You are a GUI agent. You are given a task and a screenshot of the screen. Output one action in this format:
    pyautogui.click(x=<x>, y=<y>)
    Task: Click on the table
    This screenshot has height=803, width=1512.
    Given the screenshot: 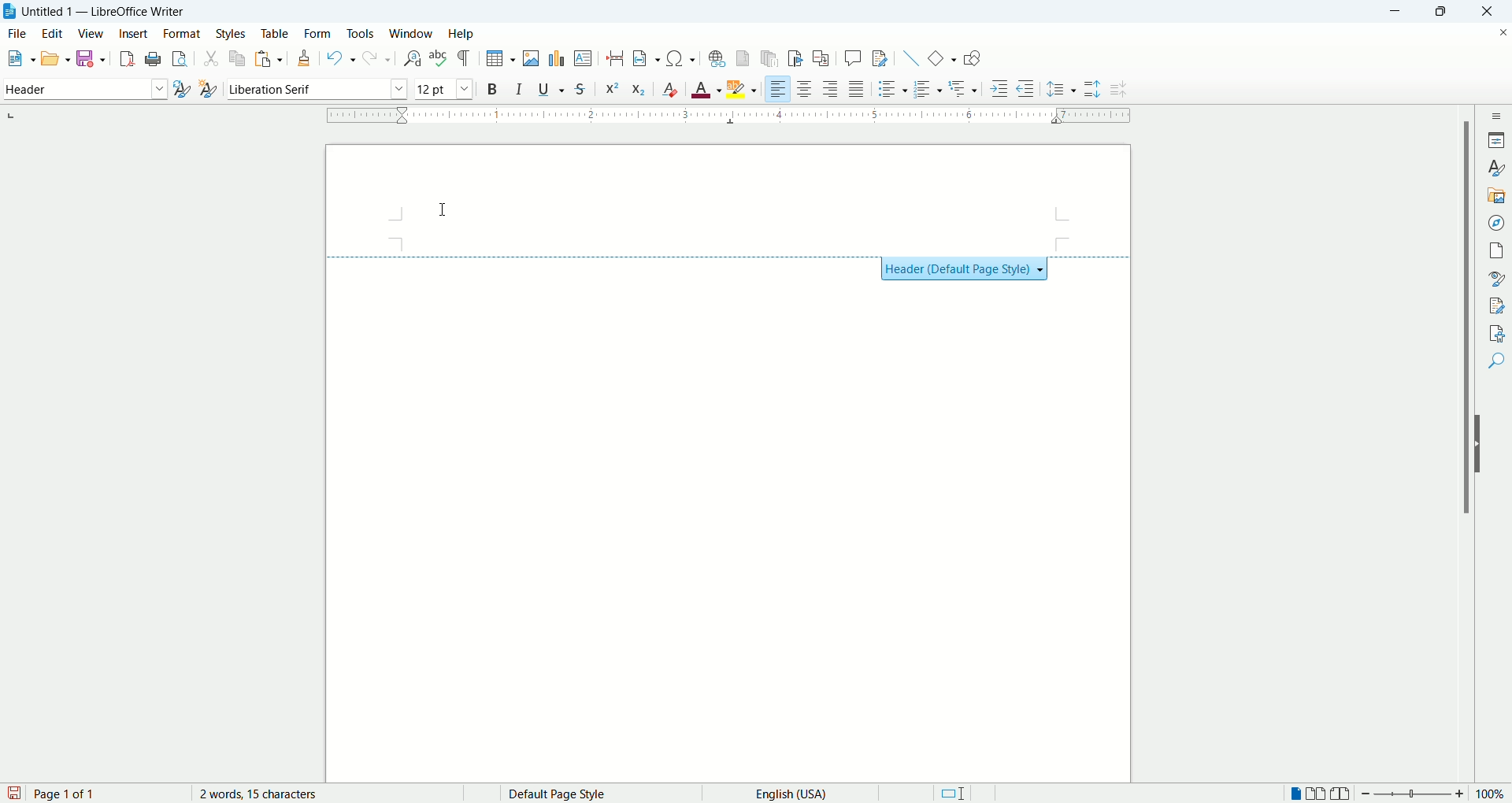 What is the action you would take?
    pyautogui.click(x=274, y=32)
    